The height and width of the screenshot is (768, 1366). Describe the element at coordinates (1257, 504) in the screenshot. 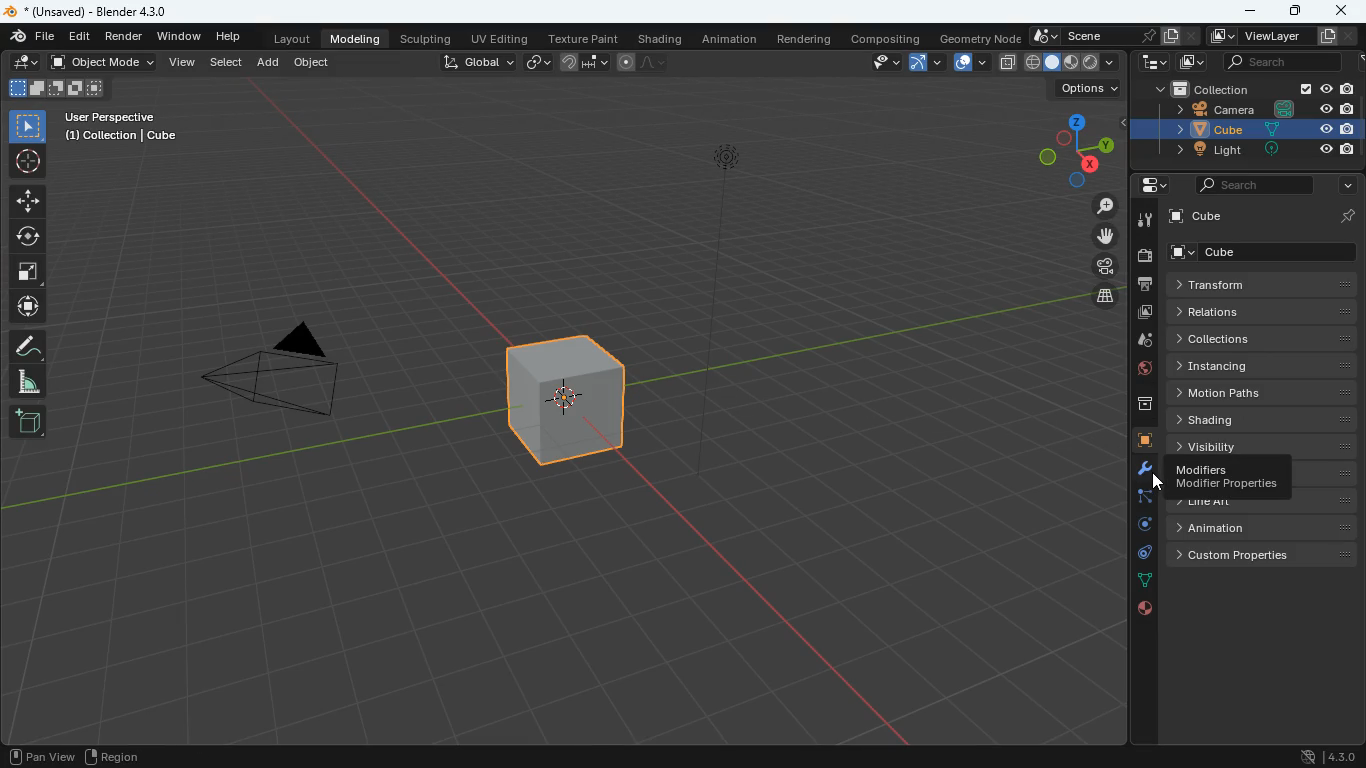

I see `line art` at that location.